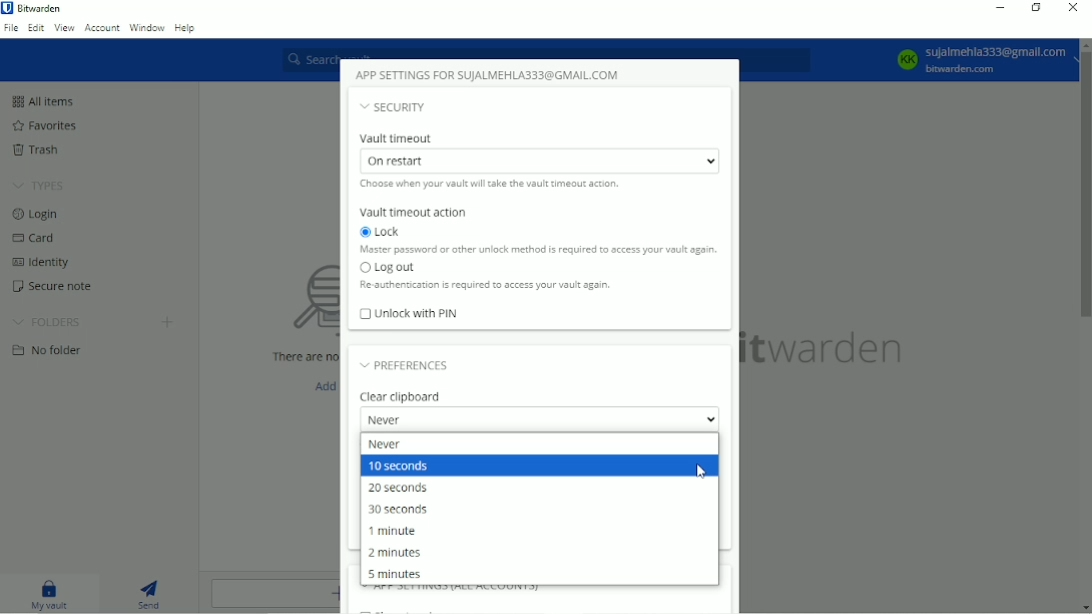 This screenshot has width=1092, height=614. I want to click on Unlock with PIN, so click(411, 315).